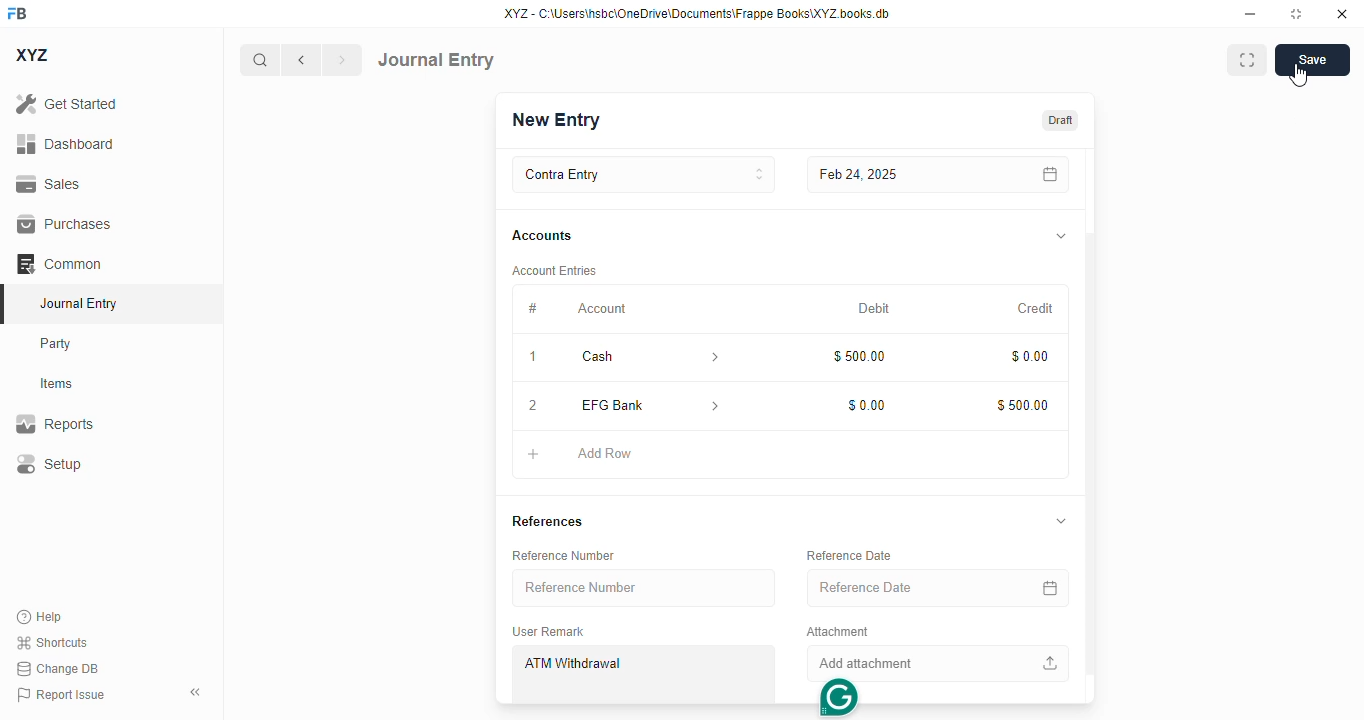 The image size is (1364, 720). What do you see at coordinates (48, 184) in the screenshot?
I see `sales` at bounding box center [48, 184].